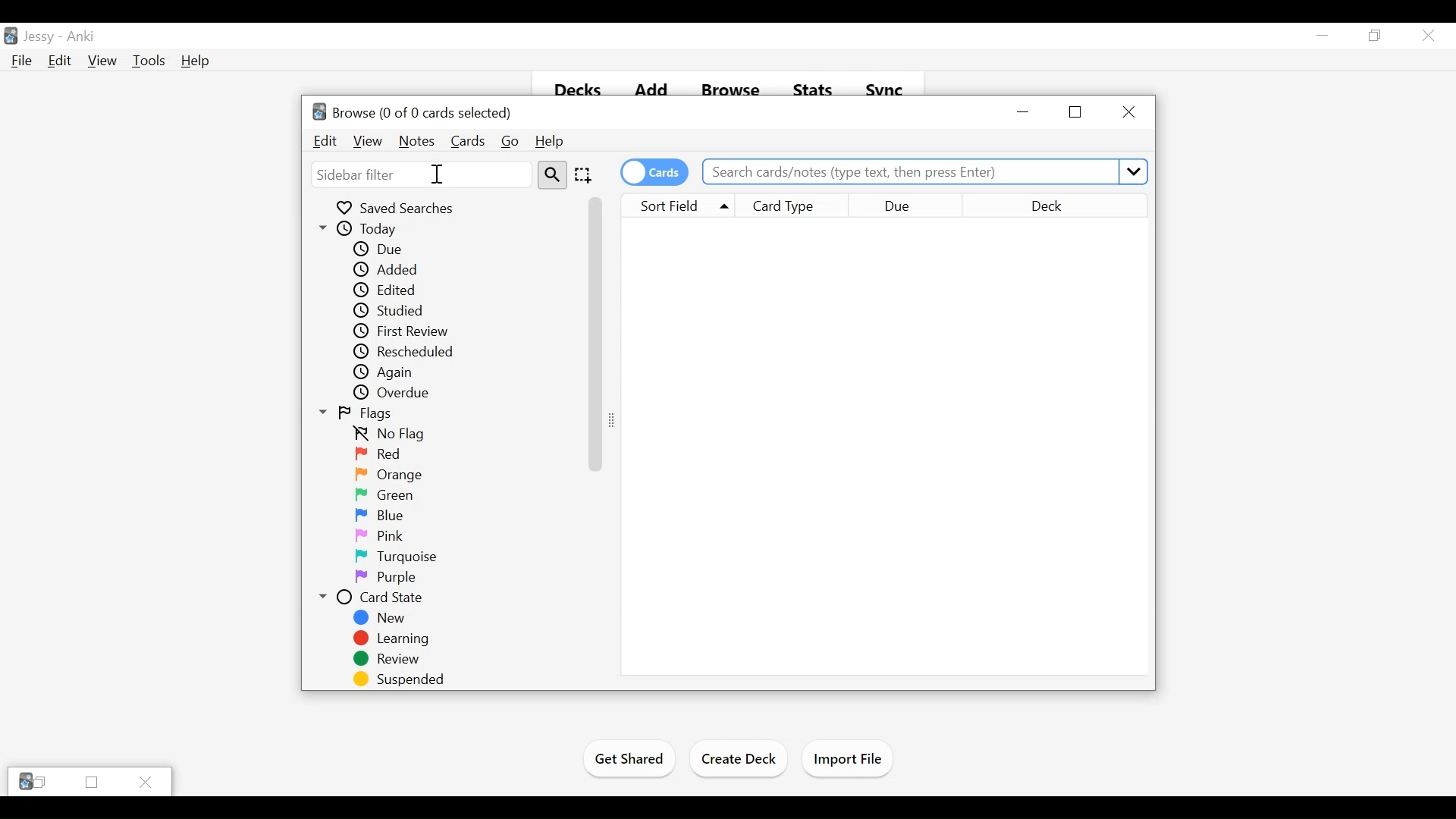 Image resolution: width=1456 pixels, height=819 pixels. I want to click on Orange, so click(388, 475).